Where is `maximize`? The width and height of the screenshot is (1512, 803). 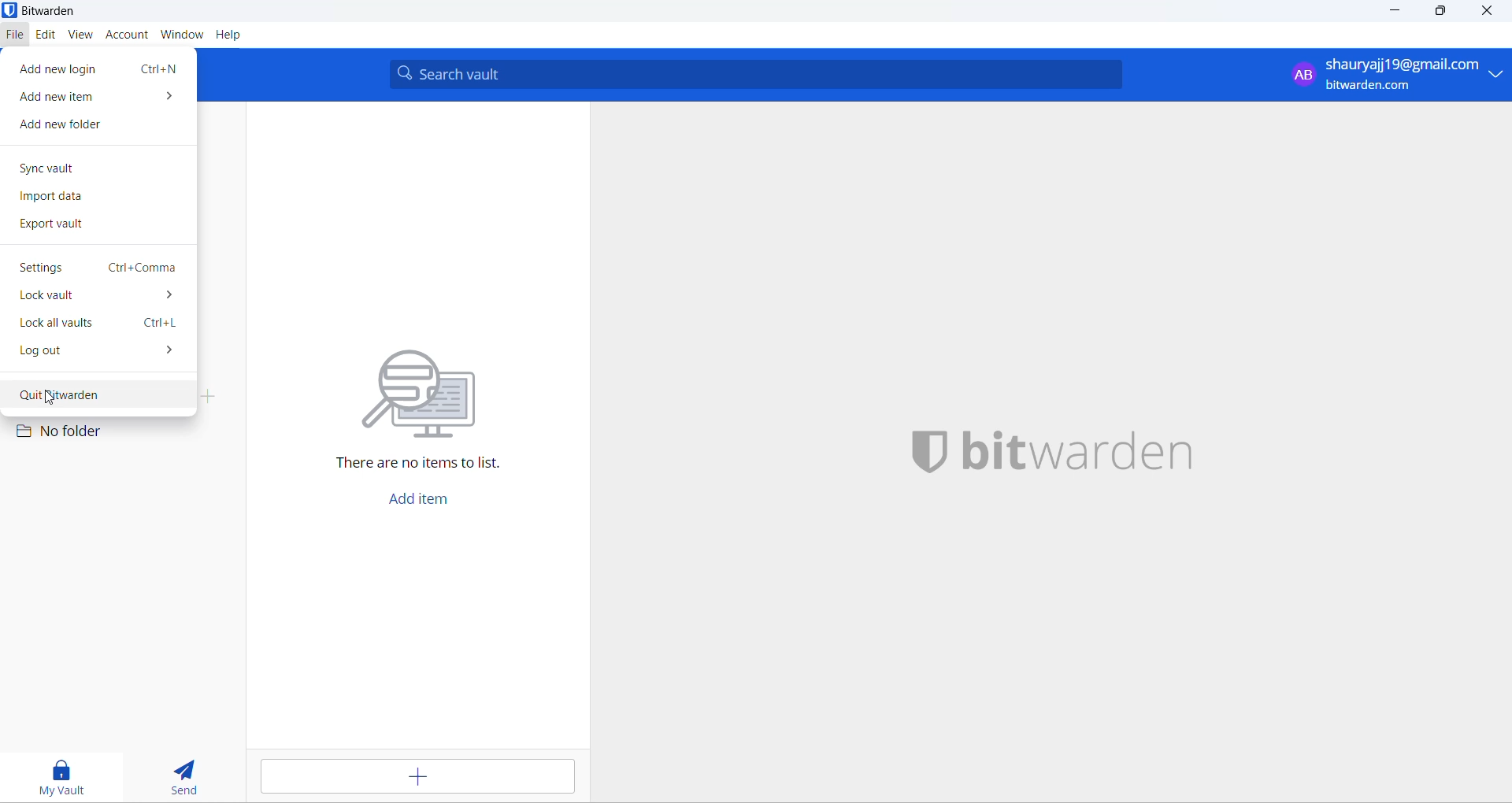
maximize is located at coordinates (1440, 13).